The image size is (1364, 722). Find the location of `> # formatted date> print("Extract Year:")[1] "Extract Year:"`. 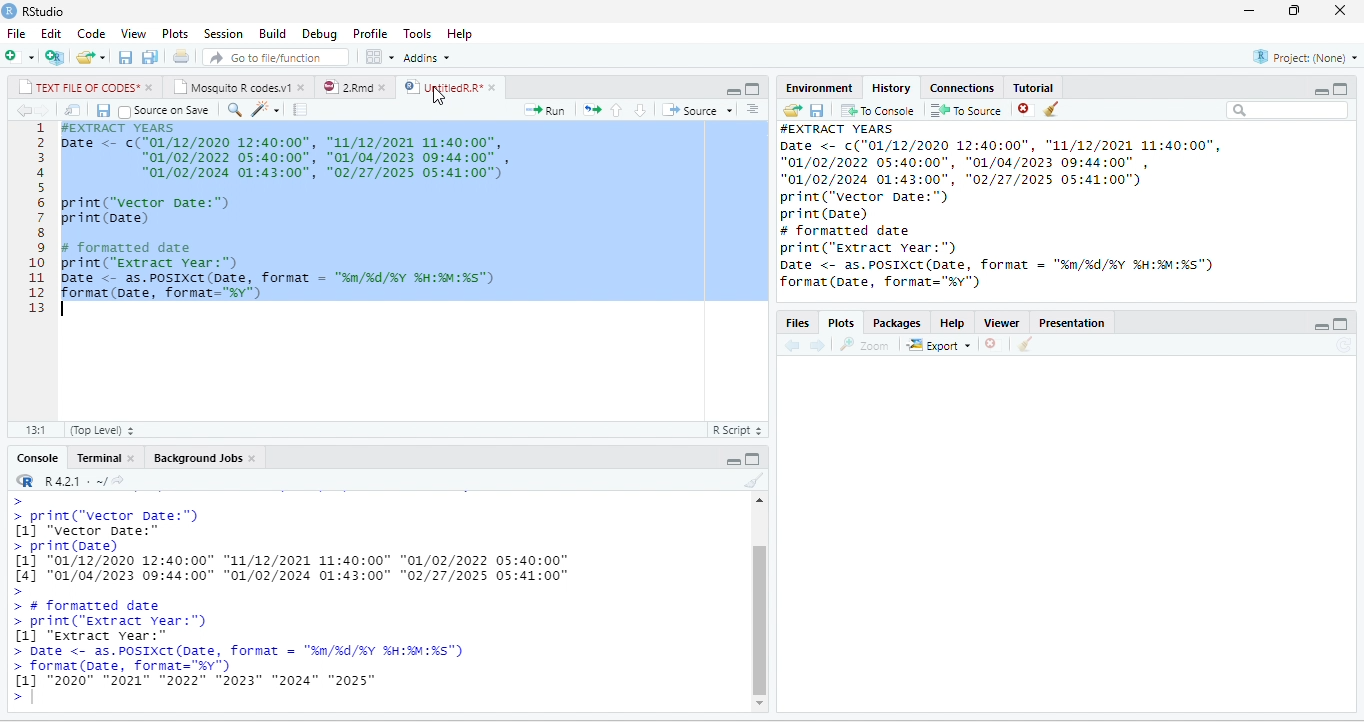

> # formatted date> print("Extract Year:")[1] "Extract Year:" is located at coordinates (130, 621).